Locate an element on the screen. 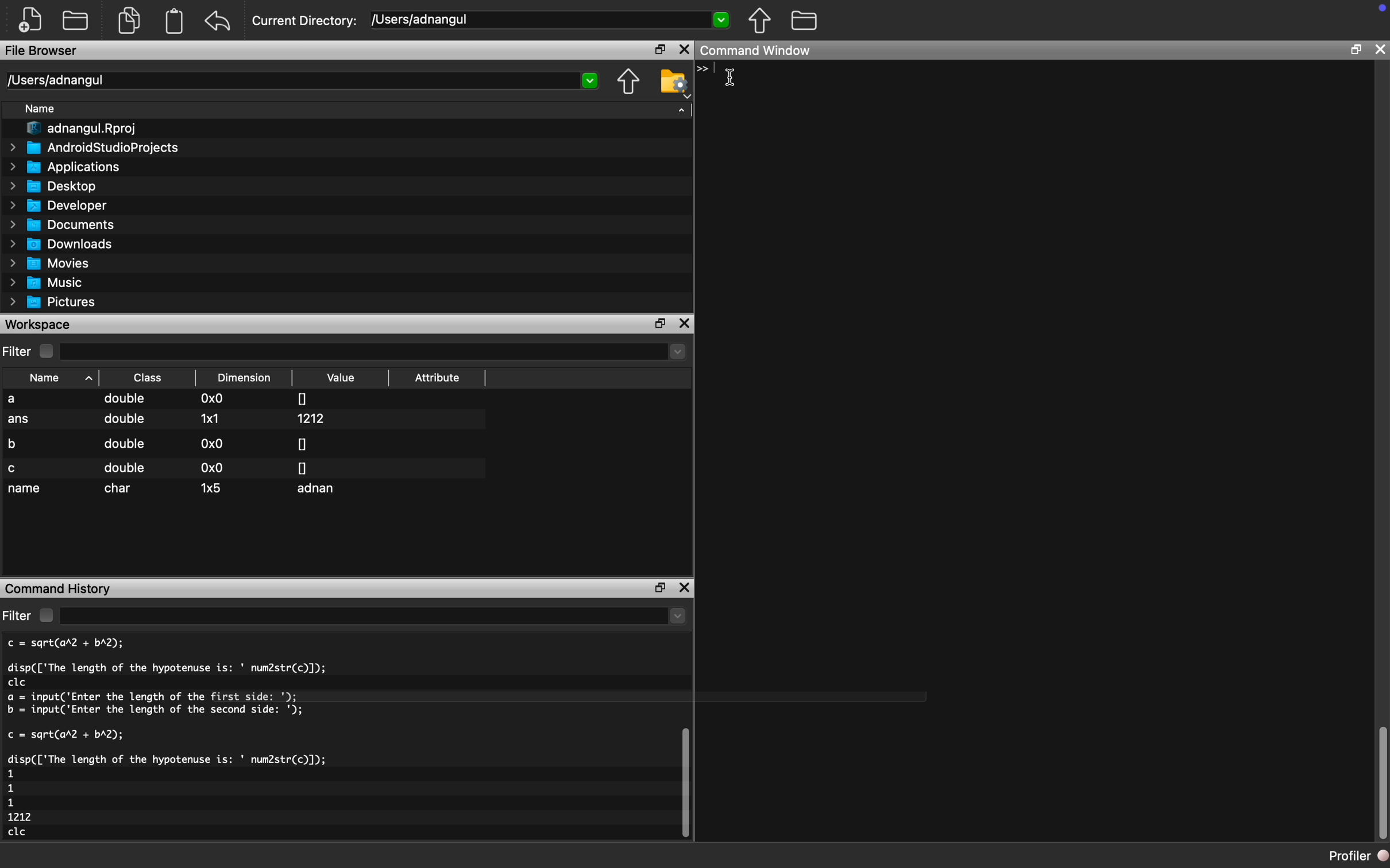 This screenshot has width=1390, height=868. adnan is located at coordinates (320, 490).